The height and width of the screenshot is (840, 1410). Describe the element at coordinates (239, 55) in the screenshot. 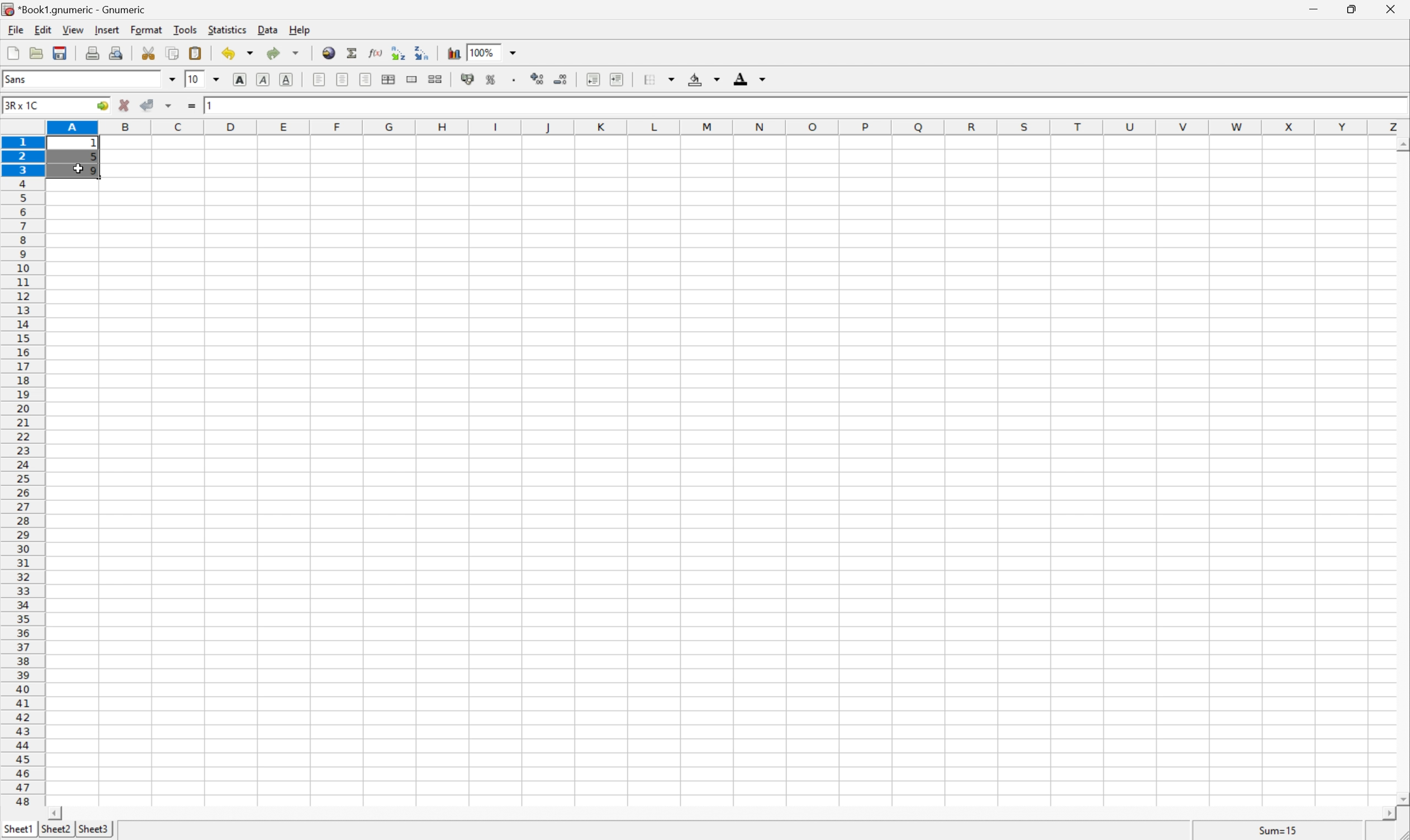

I see `undo` at that location.